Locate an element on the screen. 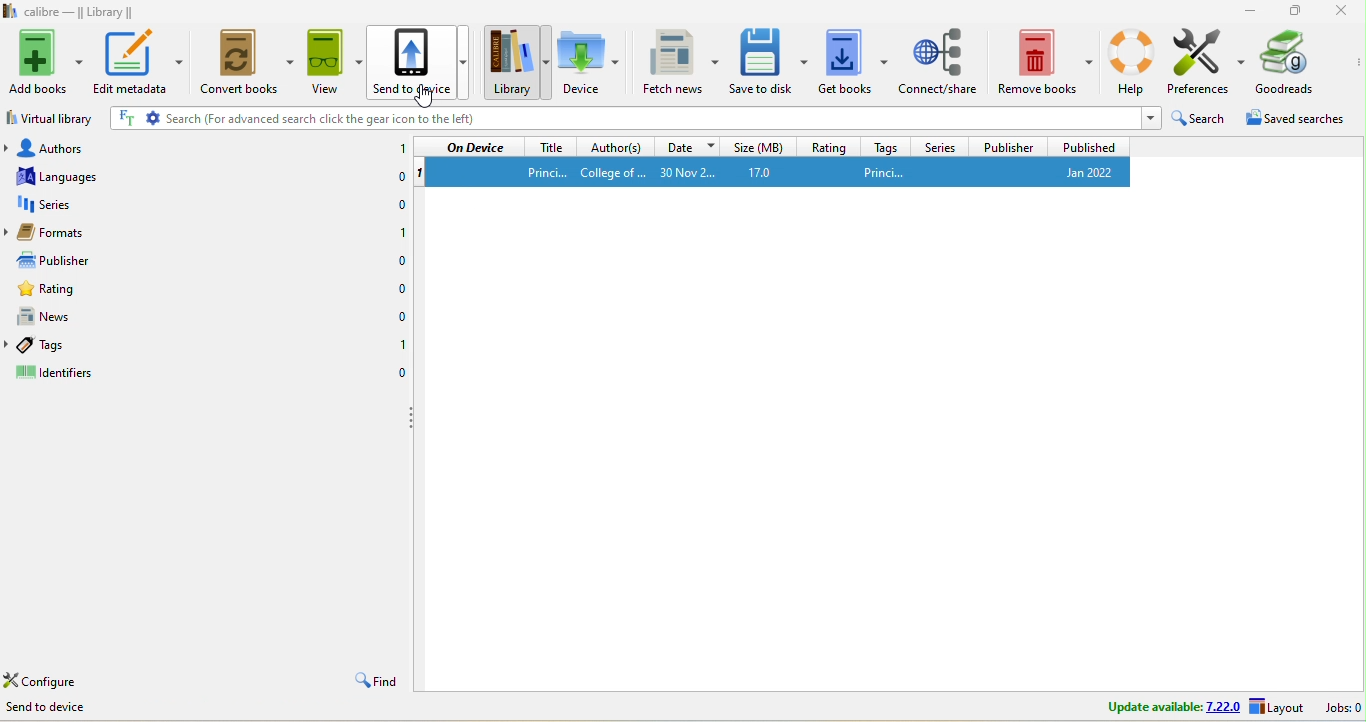  publisher is located at coordinates (1006, 146).